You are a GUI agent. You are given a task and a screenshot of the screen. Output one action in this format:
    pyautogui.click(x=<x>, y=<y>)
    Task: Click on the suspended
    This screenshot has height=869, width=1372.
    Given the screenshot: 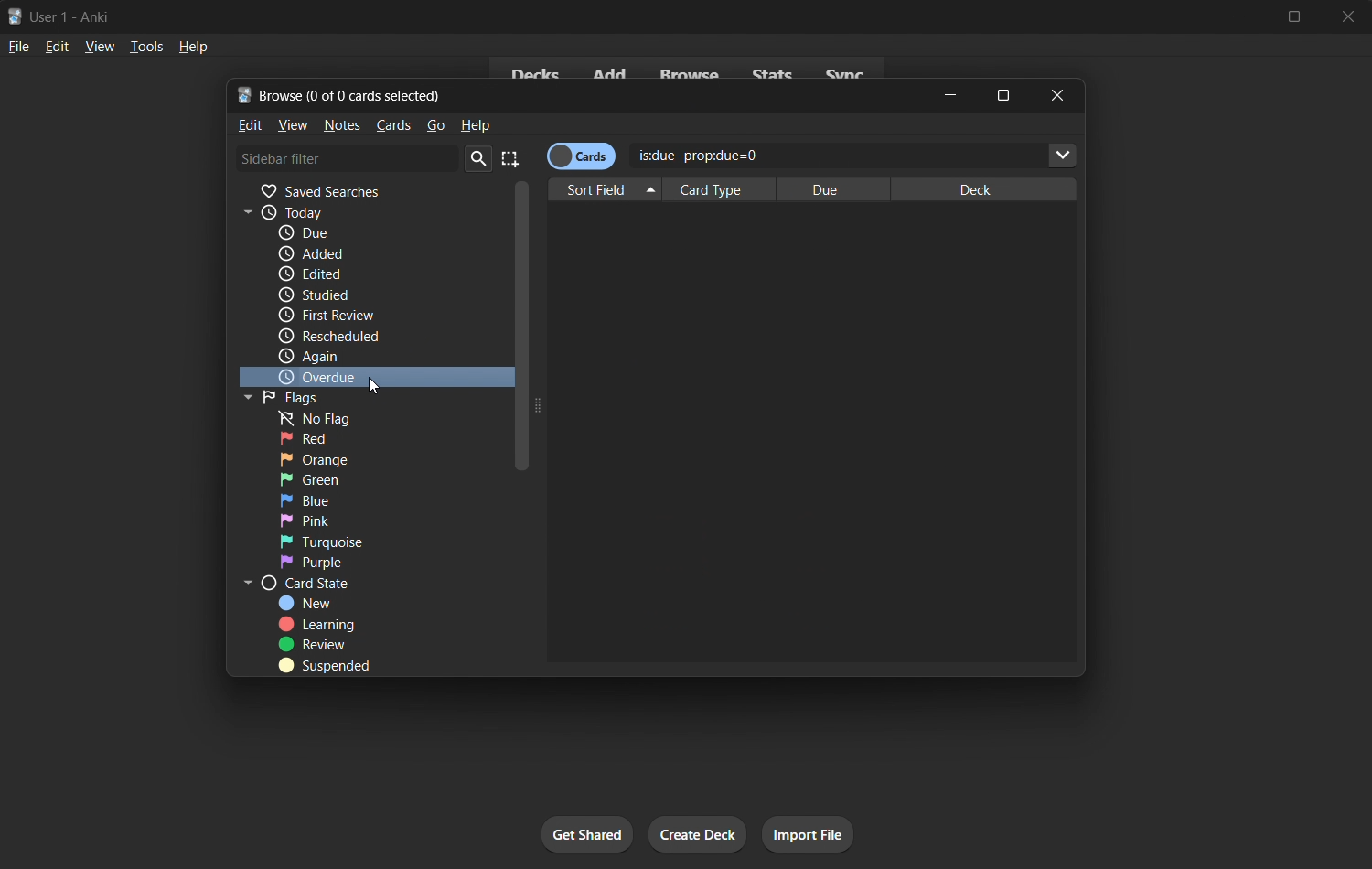 What is the action you would take?
    pyautogui.click(x=327, y=666)
    